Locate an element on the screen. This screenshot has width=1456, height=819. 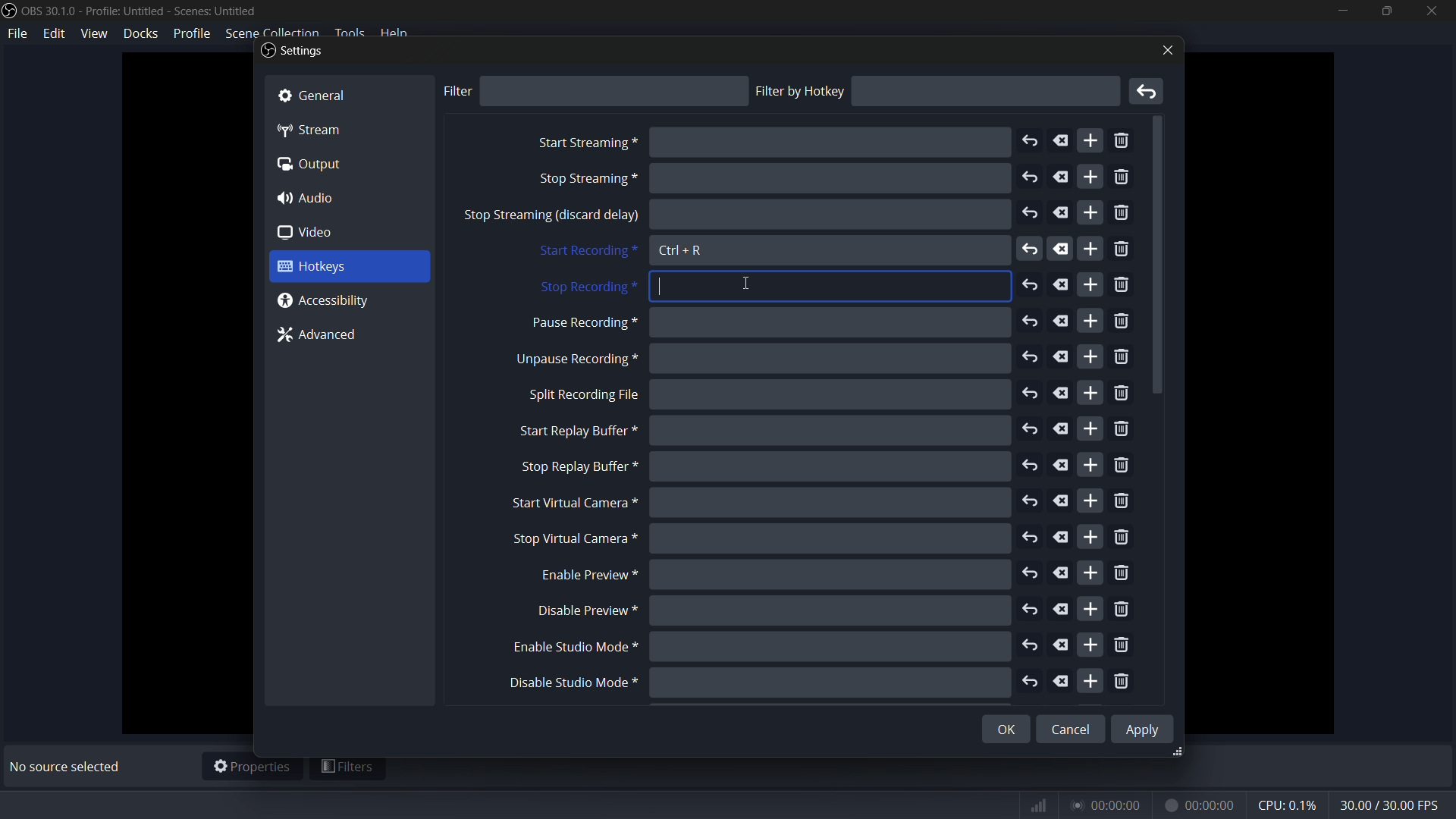
remove is located at coordinates (1122, 646).